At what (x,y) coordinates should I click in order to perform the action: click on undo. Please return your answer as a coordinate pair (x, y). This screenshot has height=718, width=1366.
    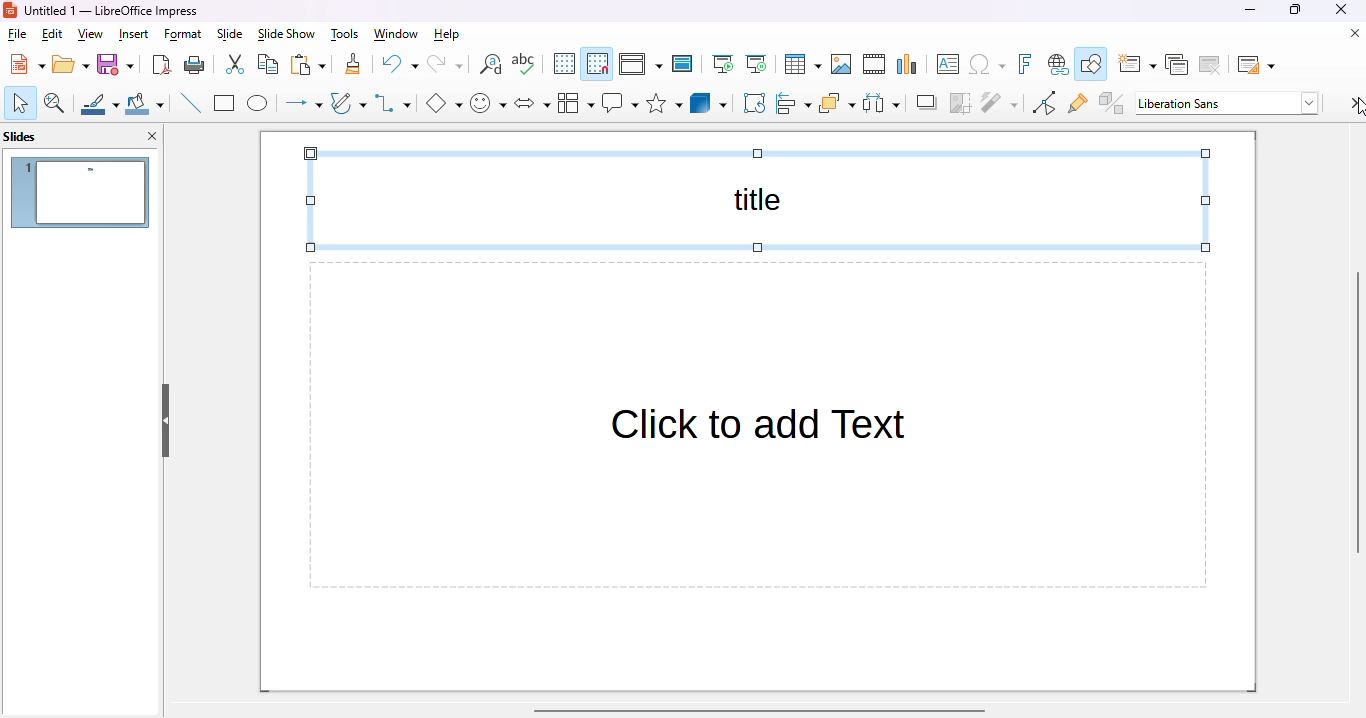
    Looking at the image, I should click on (400, 64).